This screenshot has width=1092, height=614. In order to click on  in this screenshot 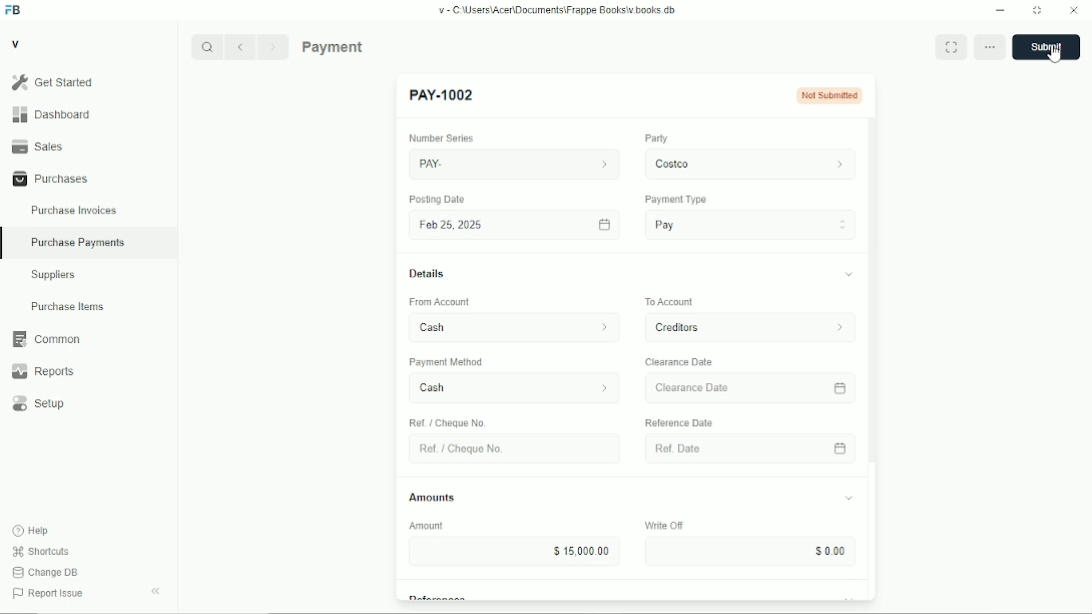, I will do `click(748, 552)`.